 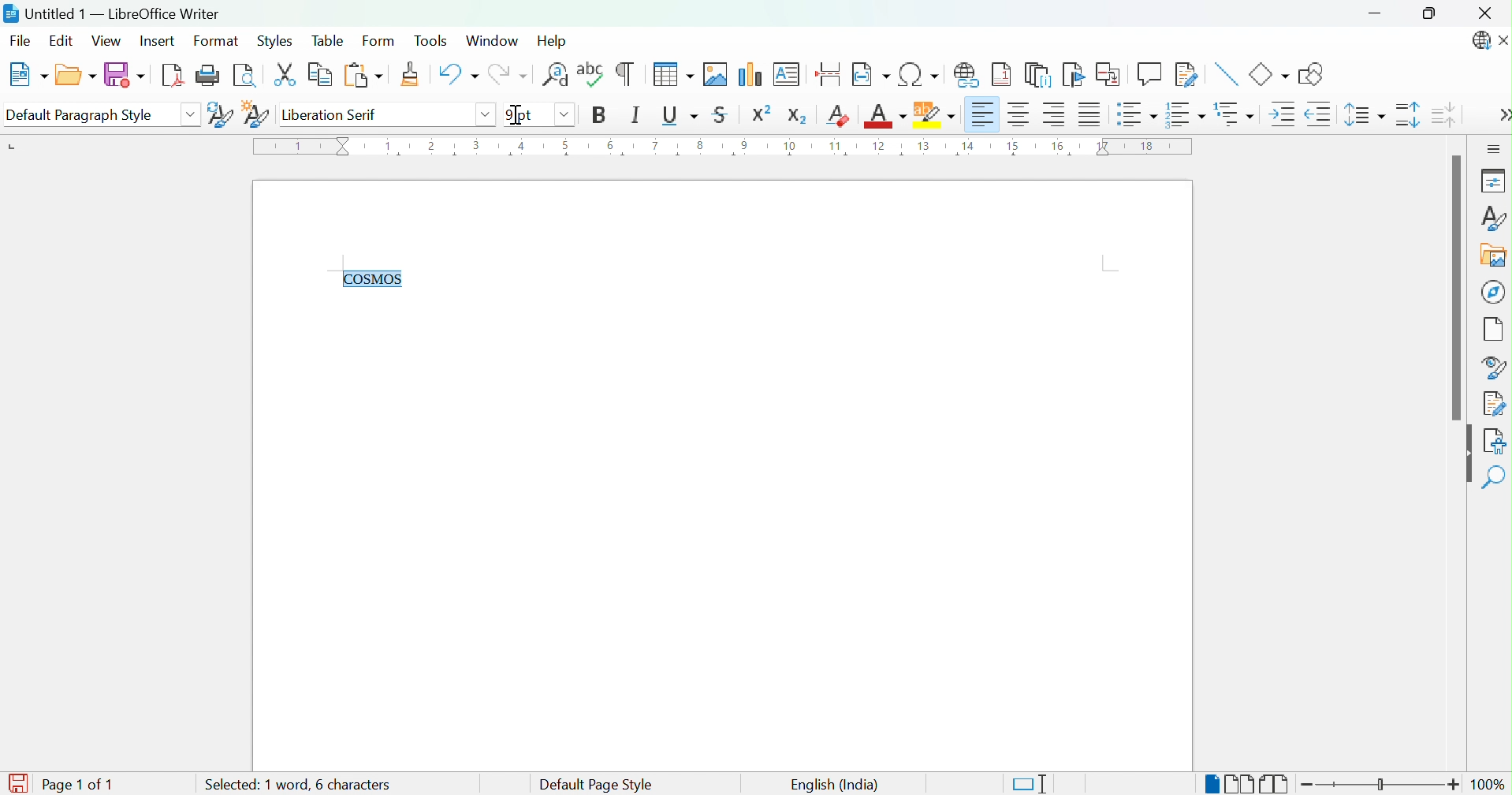 I want to click on Multiple-page view, so click(x=1240, y=784).